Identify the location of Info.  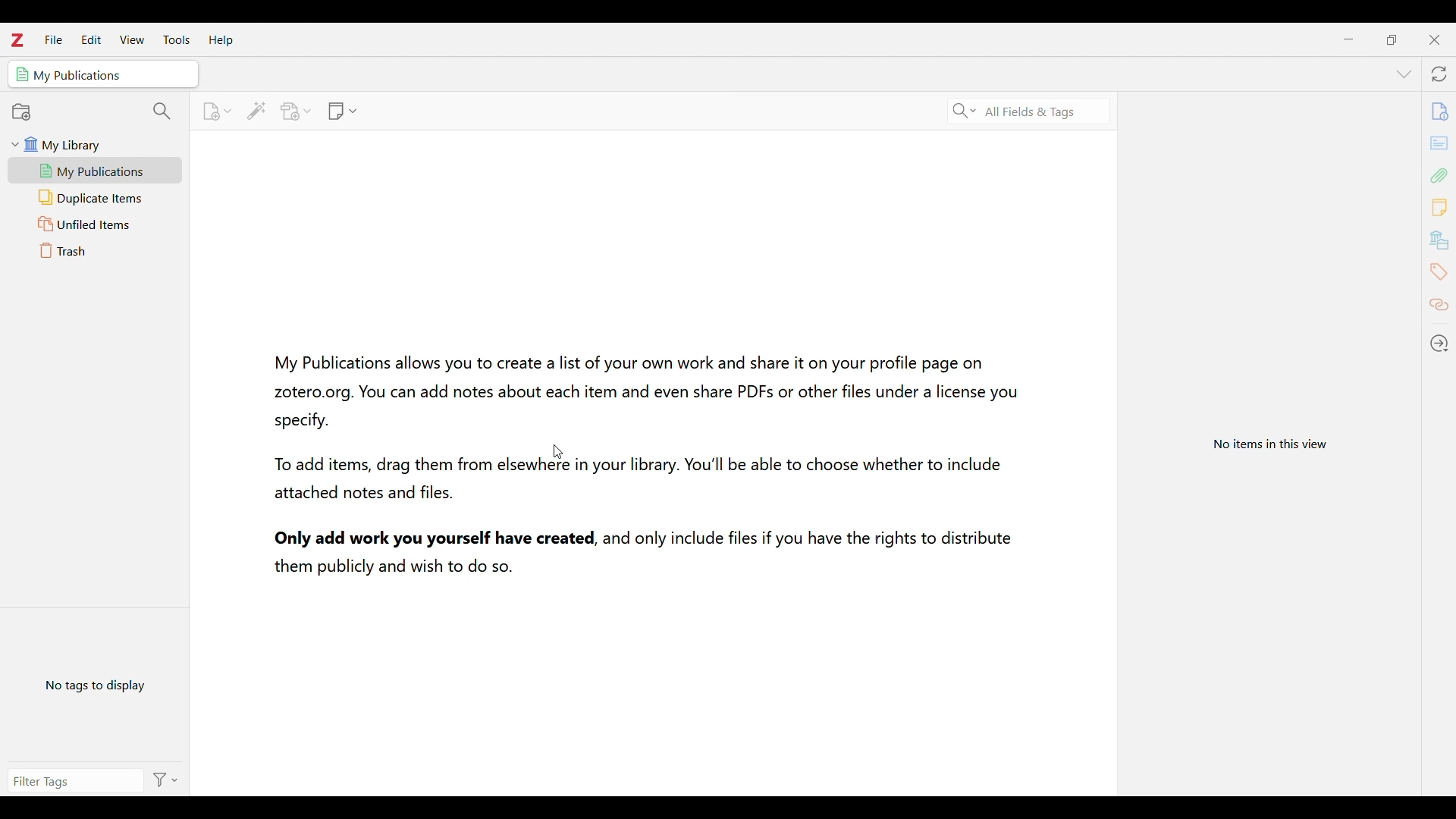
(1440, 110).